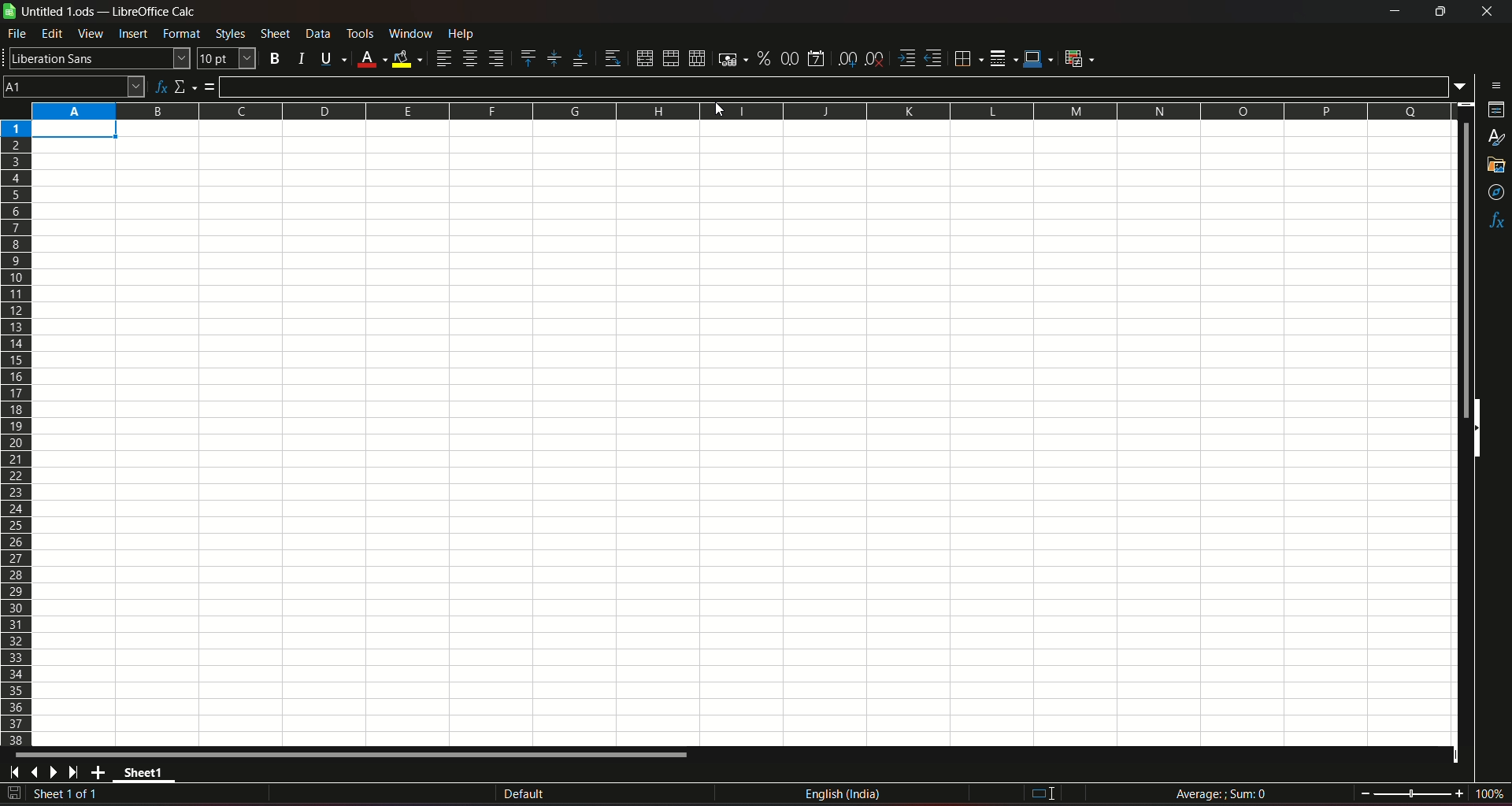  What do you see at coordinates (1484, 14) in the screenshot?
I see `close` at bounding box center [1484, 14].